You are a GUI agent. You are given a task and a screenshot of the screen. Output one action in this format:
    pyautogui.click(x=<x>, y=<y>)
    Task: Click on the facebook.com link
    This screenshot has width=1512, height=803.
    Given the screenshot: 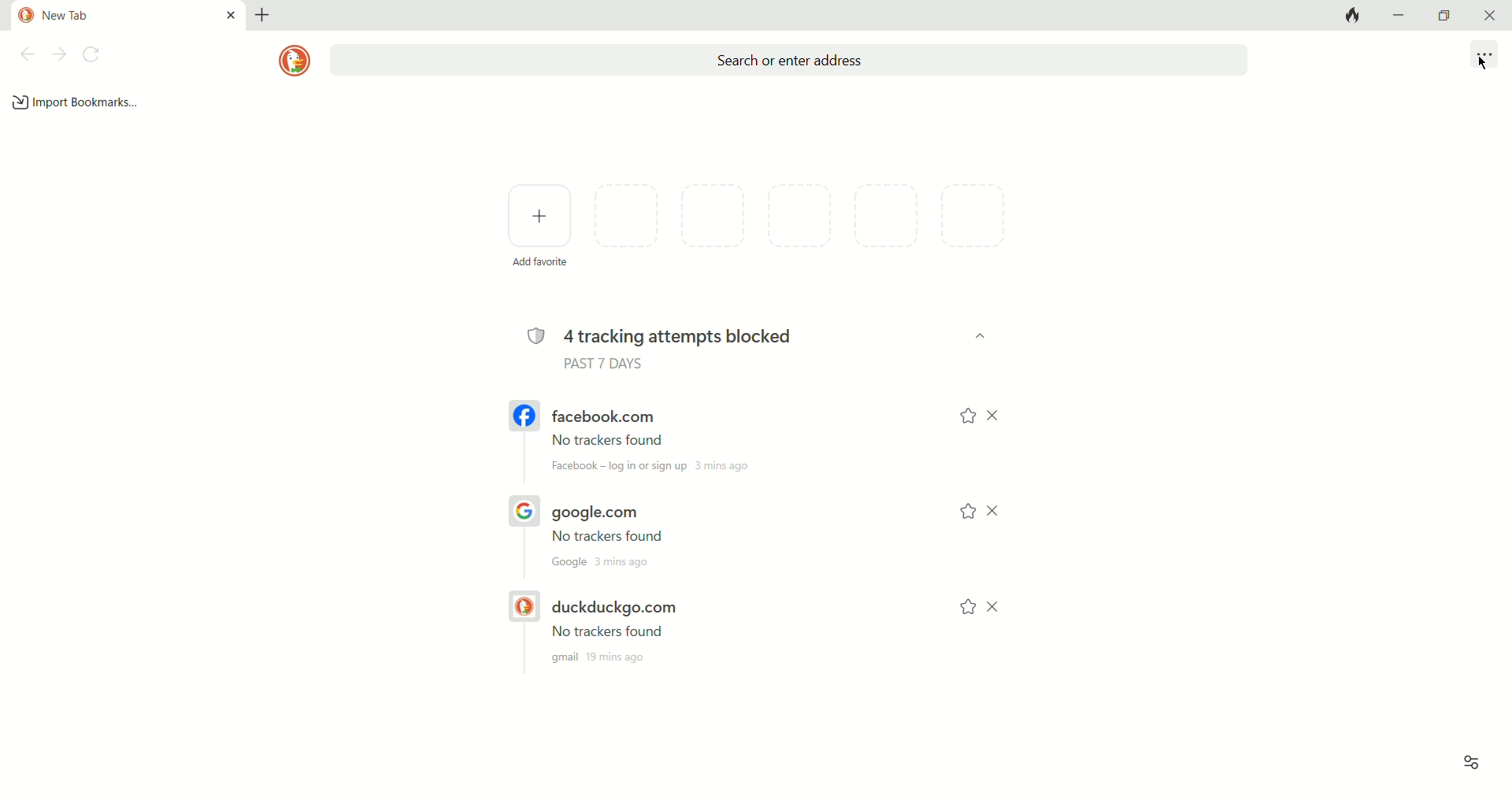 What is the action you would take?
    pyautogui.click(x=635, y=439)
    